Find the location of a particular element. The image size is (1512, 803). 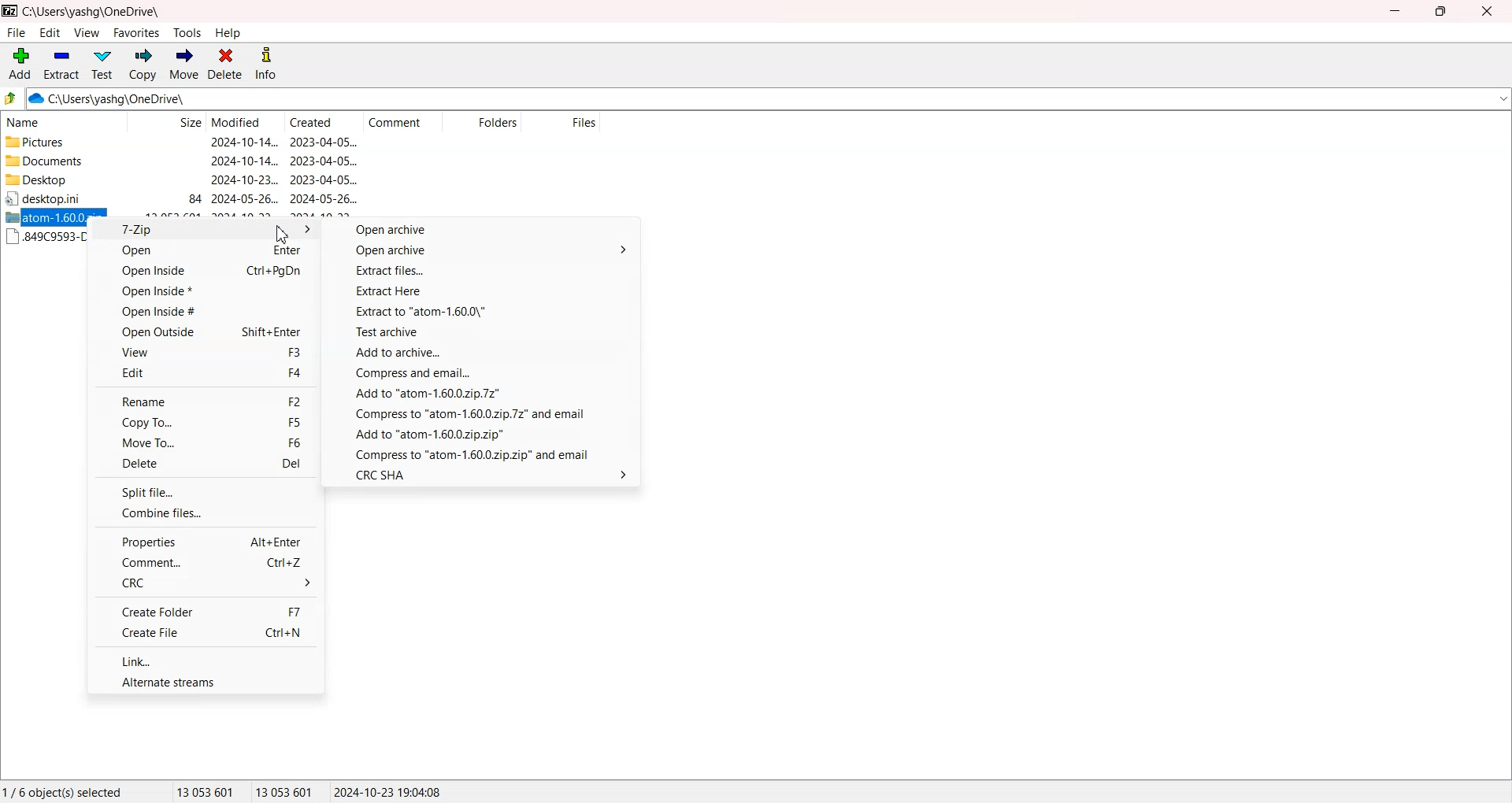

Test is located at coordinates (102, 65).